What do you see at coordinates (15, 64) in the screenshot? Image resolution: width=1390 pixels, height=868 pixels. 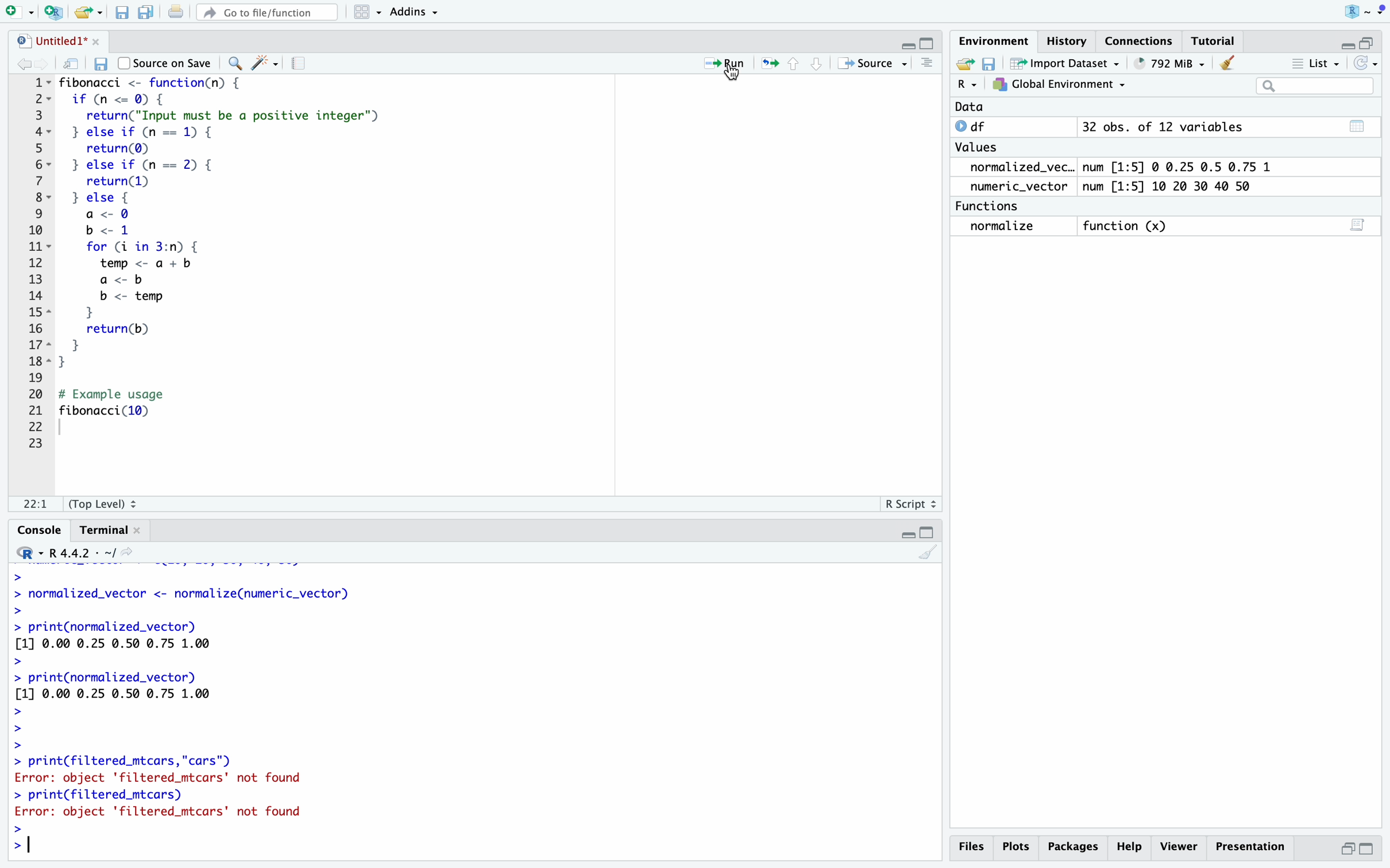 I see `go back to the previous source location` at bounding box center [15, 64].